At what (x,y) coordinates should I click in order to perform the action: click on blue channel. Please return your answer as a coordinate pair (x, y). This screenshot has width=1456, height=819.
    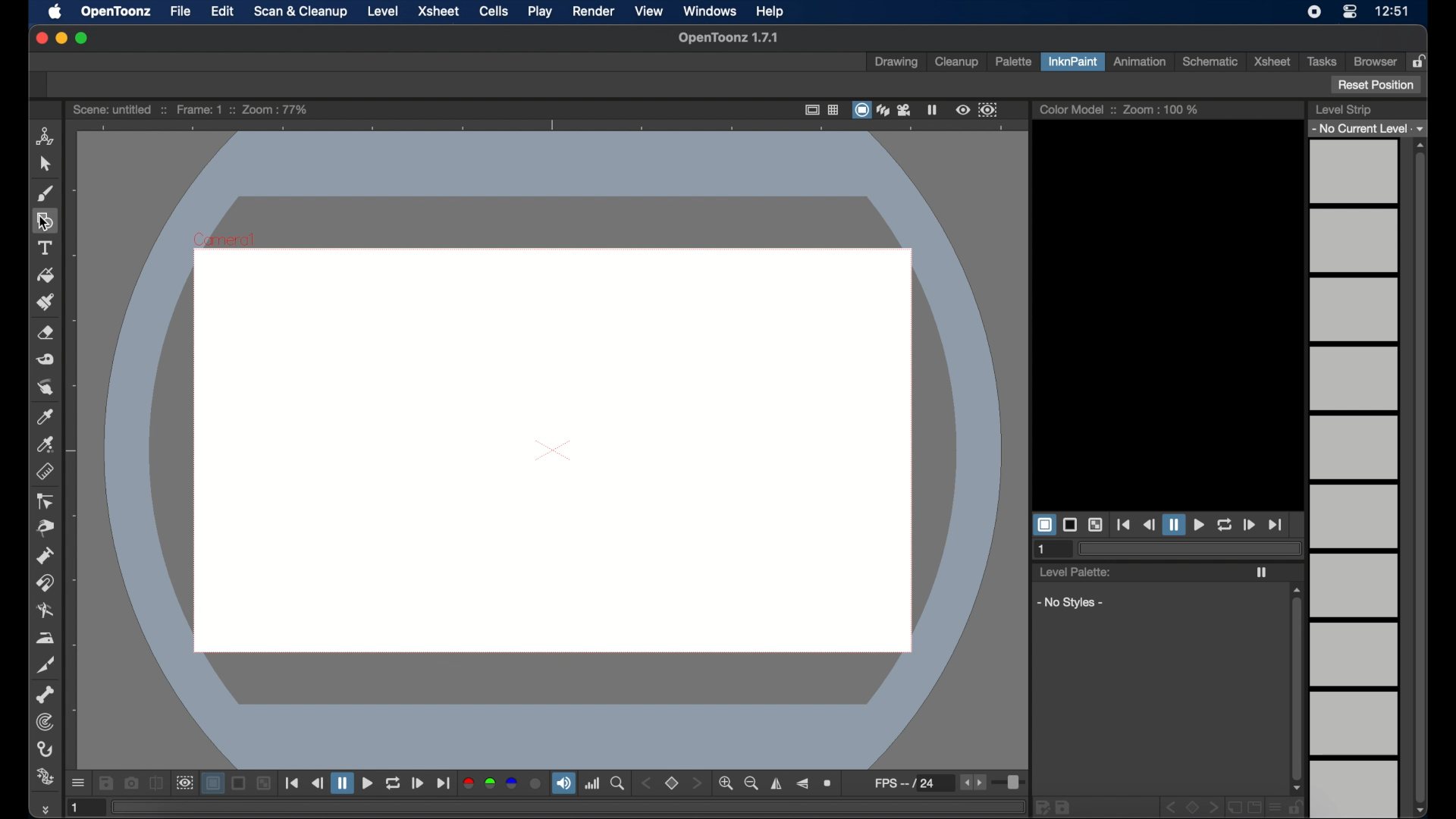
    Looking at the image, I should click on (511, 783).